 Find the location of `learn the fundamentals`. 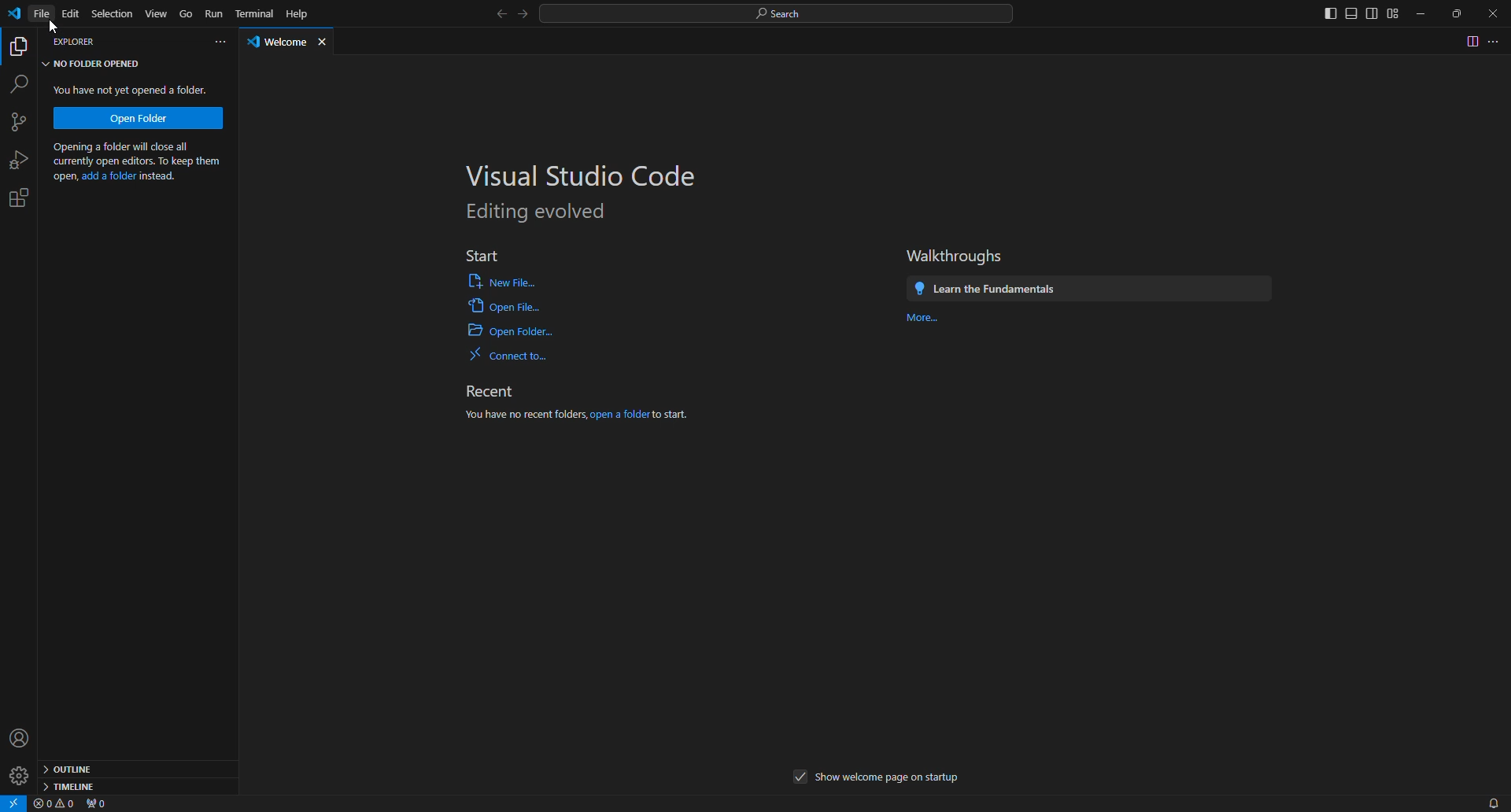

learn the fundamentals is located at coordinates (986, 289).